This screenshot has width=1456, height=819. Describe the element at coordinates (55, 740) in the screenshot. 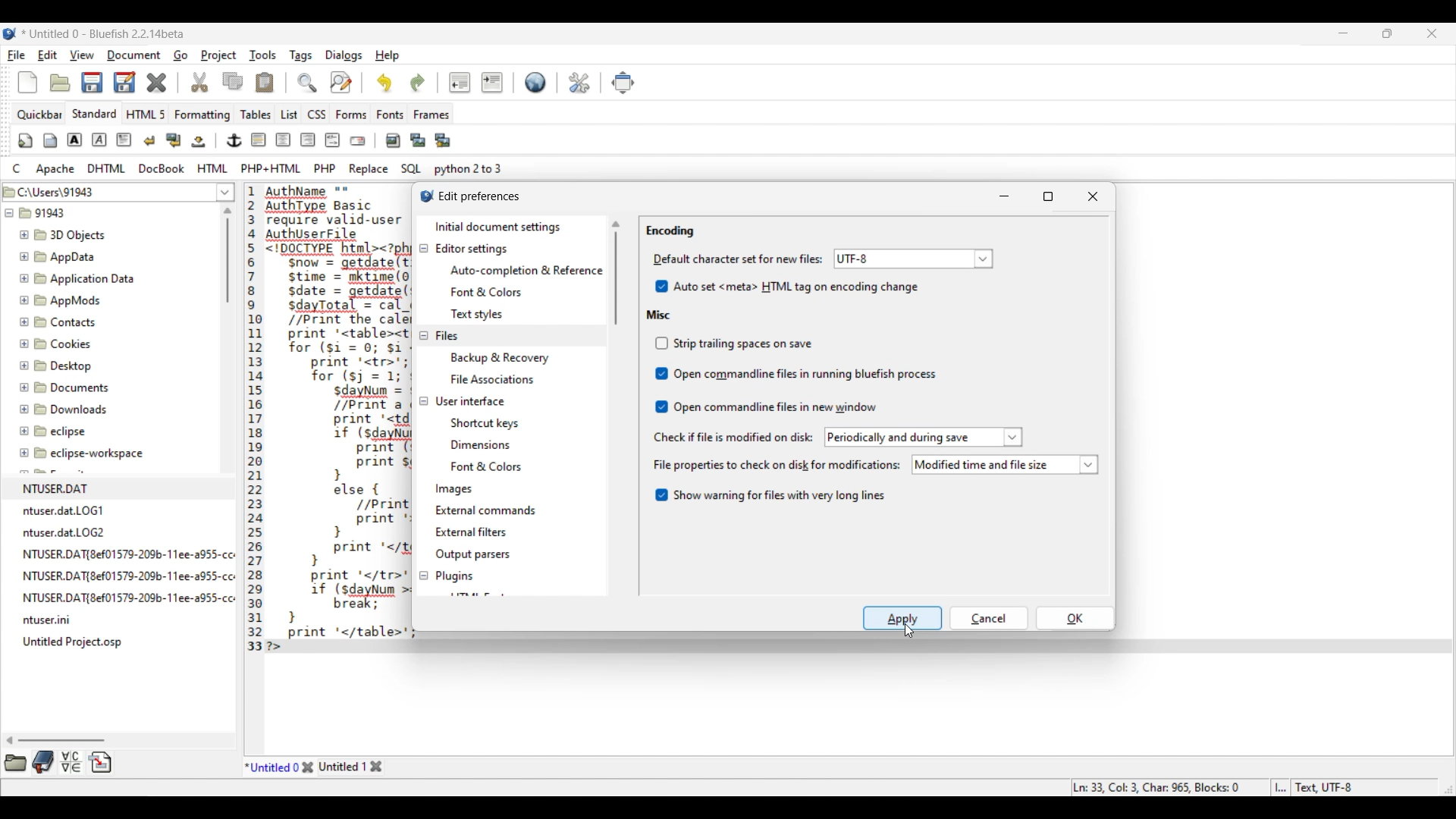

I see `Horizontal slide bar` at that location.